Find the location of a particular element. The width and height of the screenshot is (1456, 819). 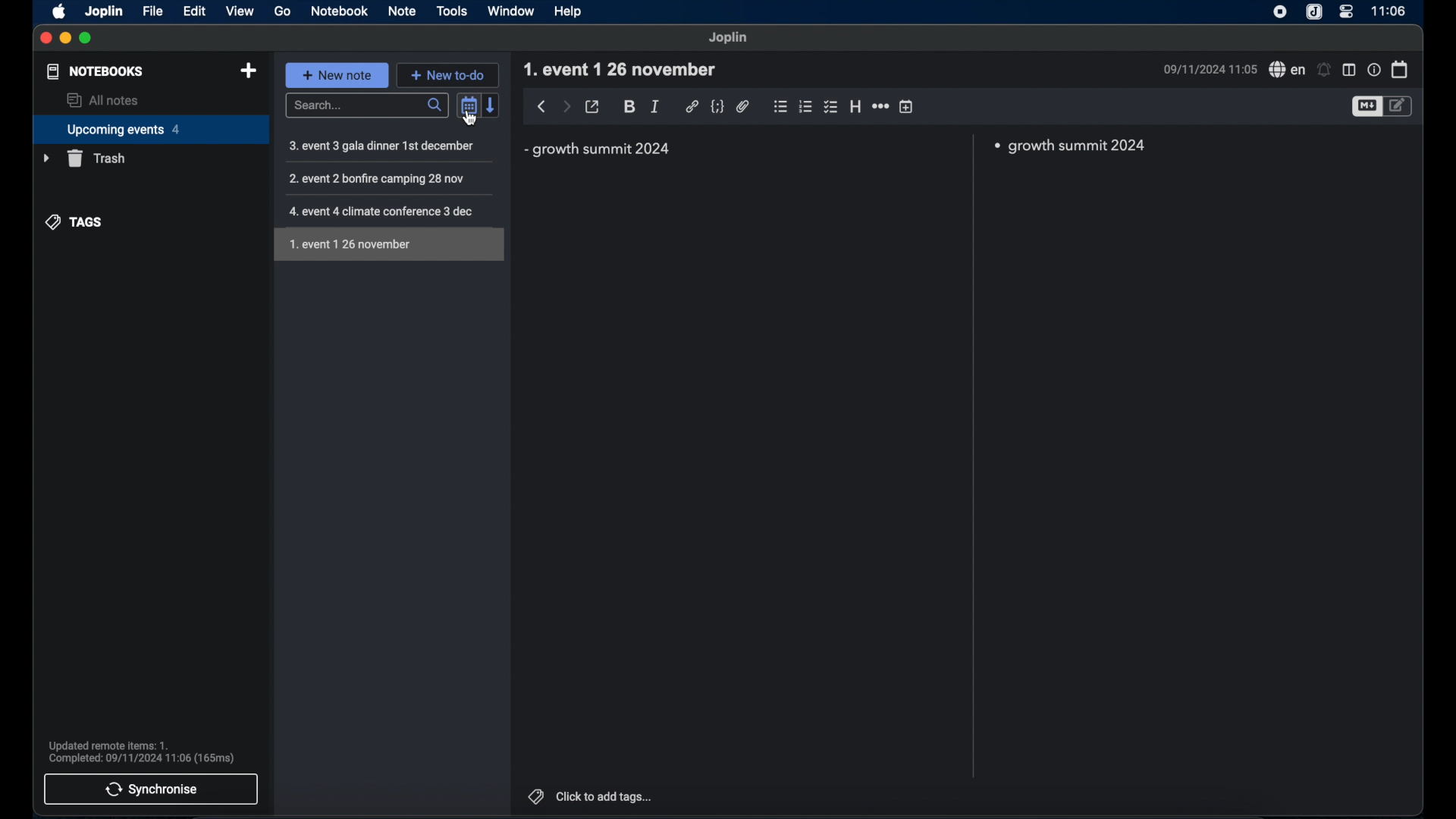

trash is located at coordinates (84, 158).